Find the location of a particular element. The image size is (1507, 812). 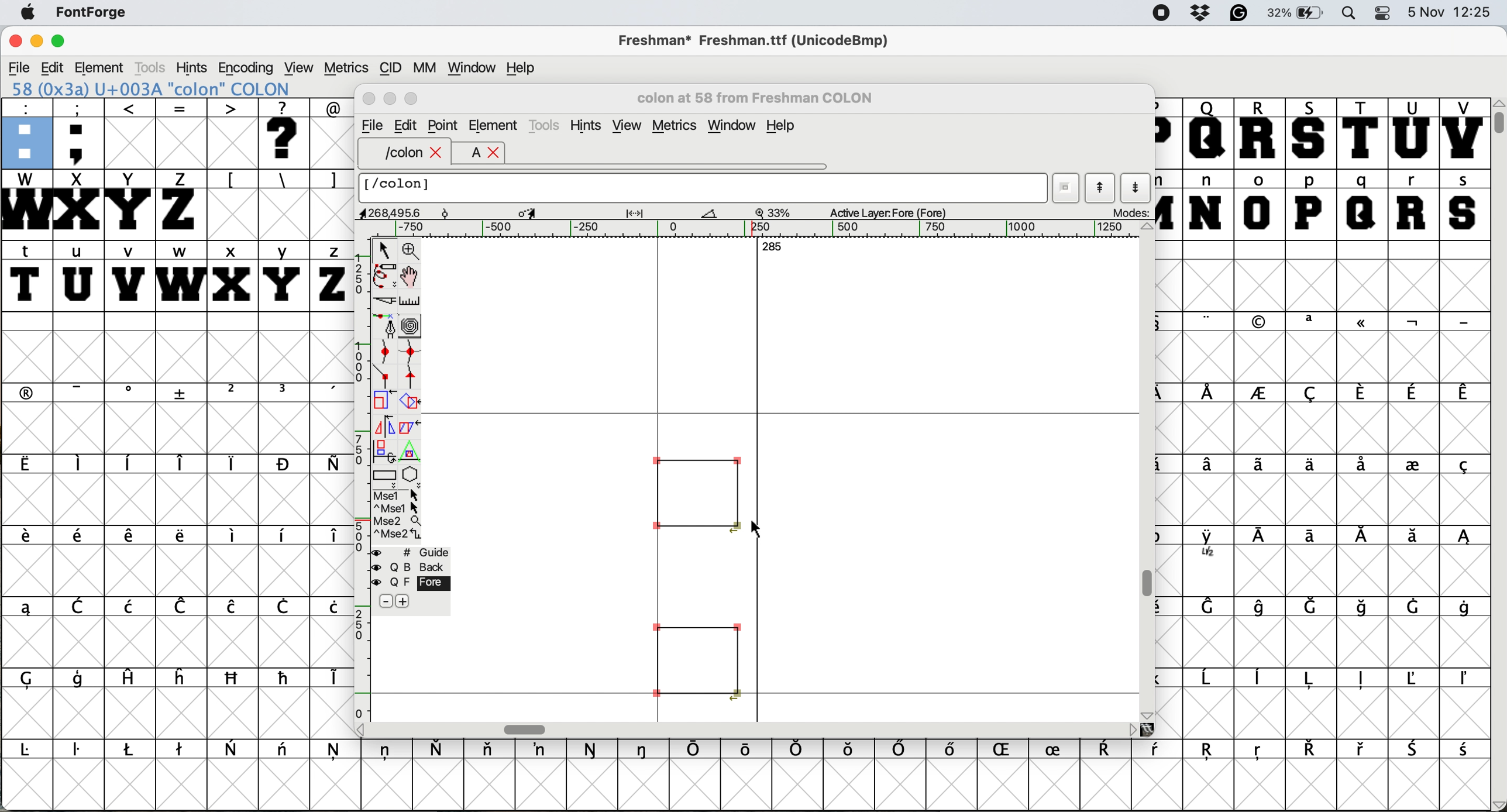

symbol is located at coordinates (80, 752).